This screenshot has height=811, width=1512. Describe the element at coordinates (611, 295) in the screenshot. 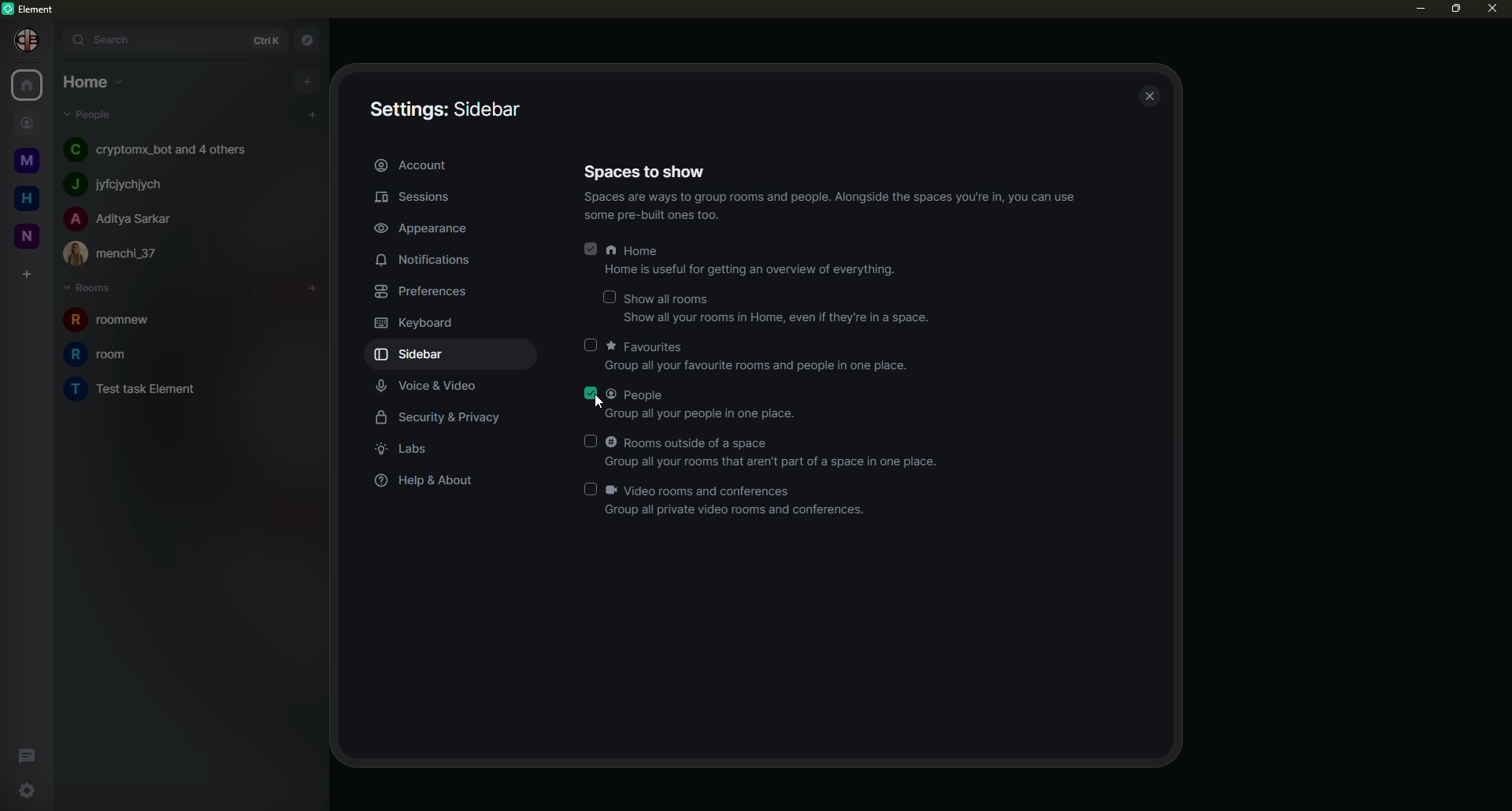

I see `click to enable` at that location.